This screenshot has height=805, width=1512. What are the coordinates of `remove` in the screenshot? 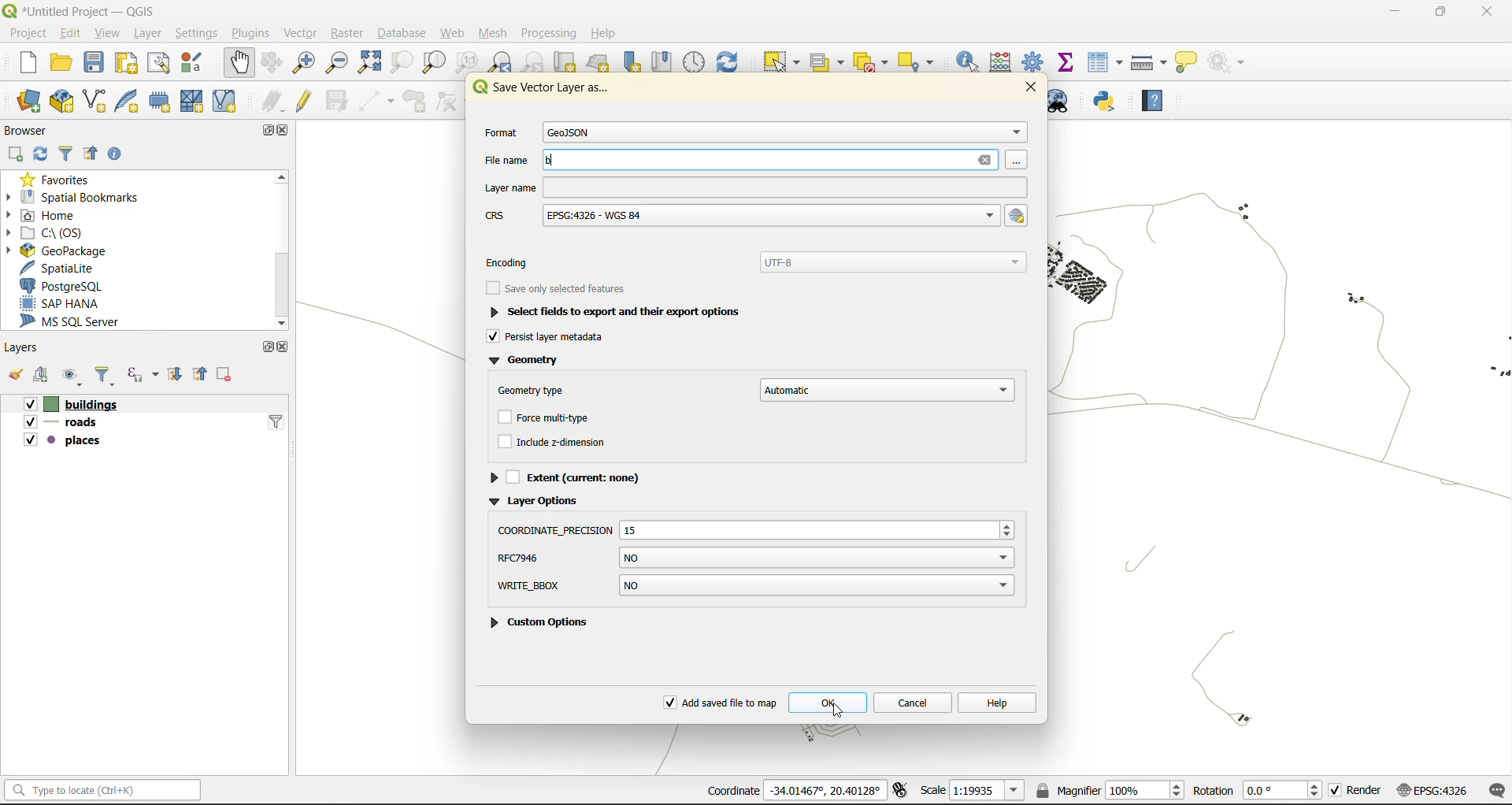 It's located at (228, 375).